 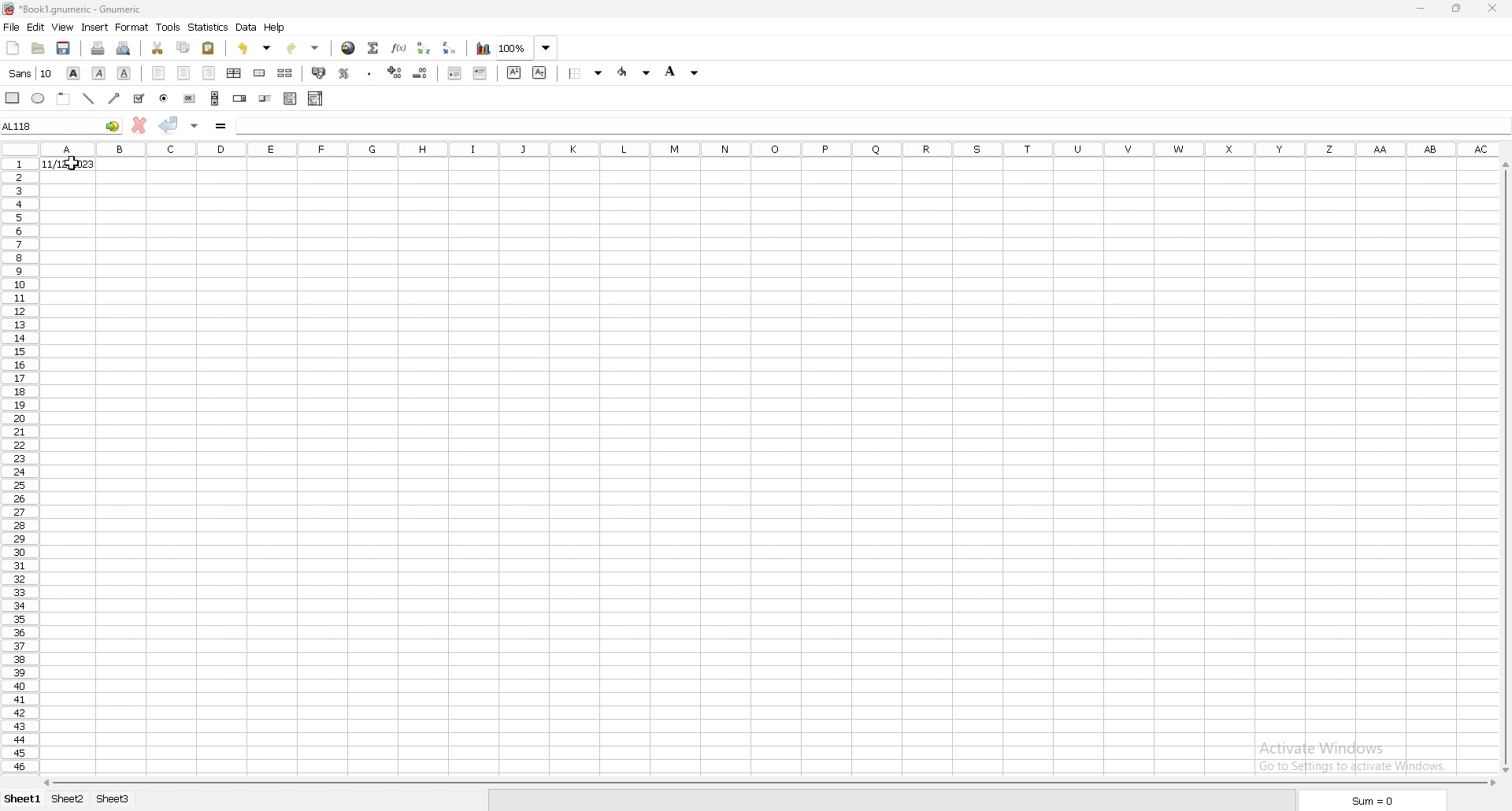 I want to click on copy, so click(x=185, y=46).